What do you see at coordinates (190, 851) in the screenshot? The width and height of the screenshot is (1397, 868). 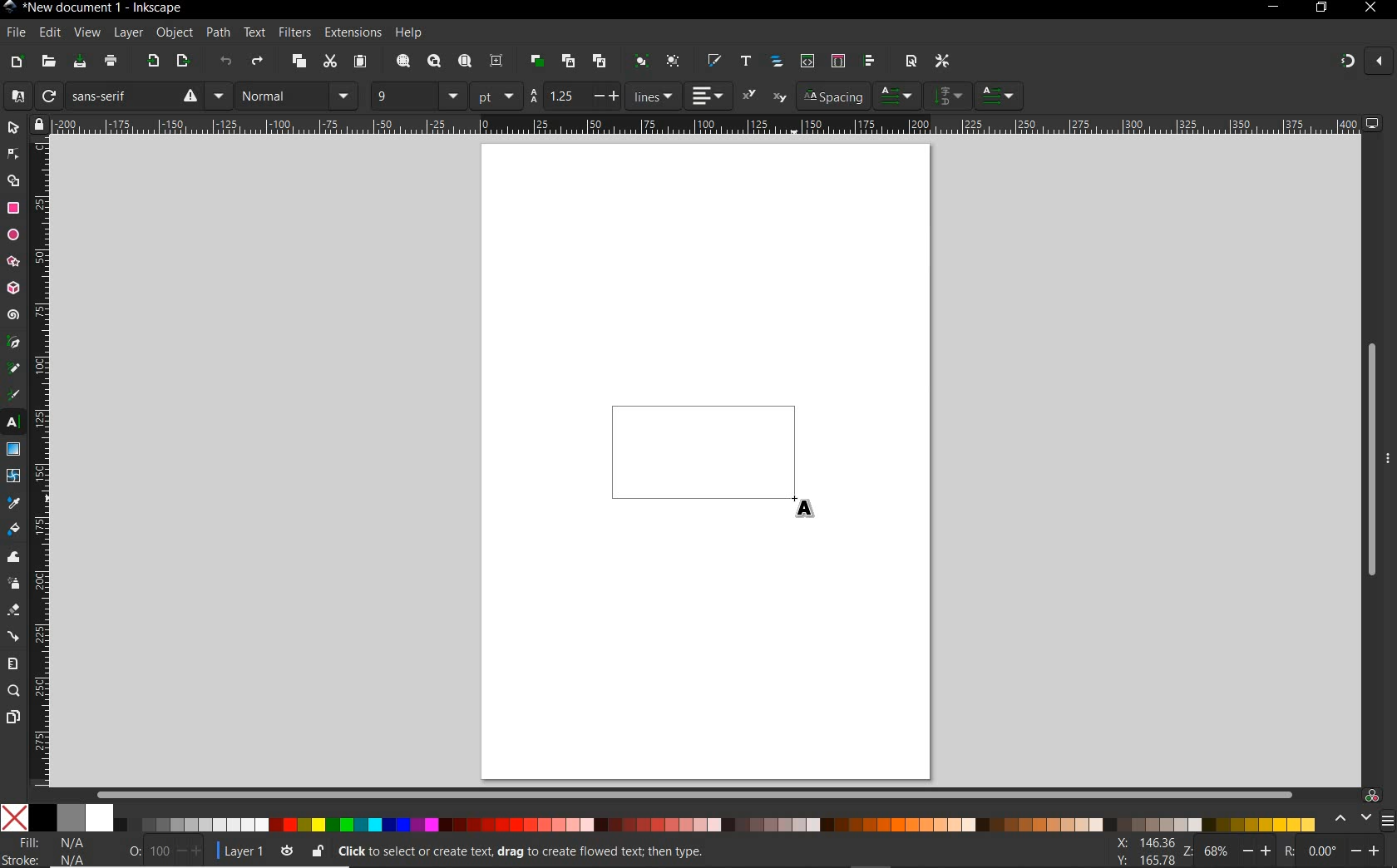 I see `increase/decrease` at bounding box center [190, 851].